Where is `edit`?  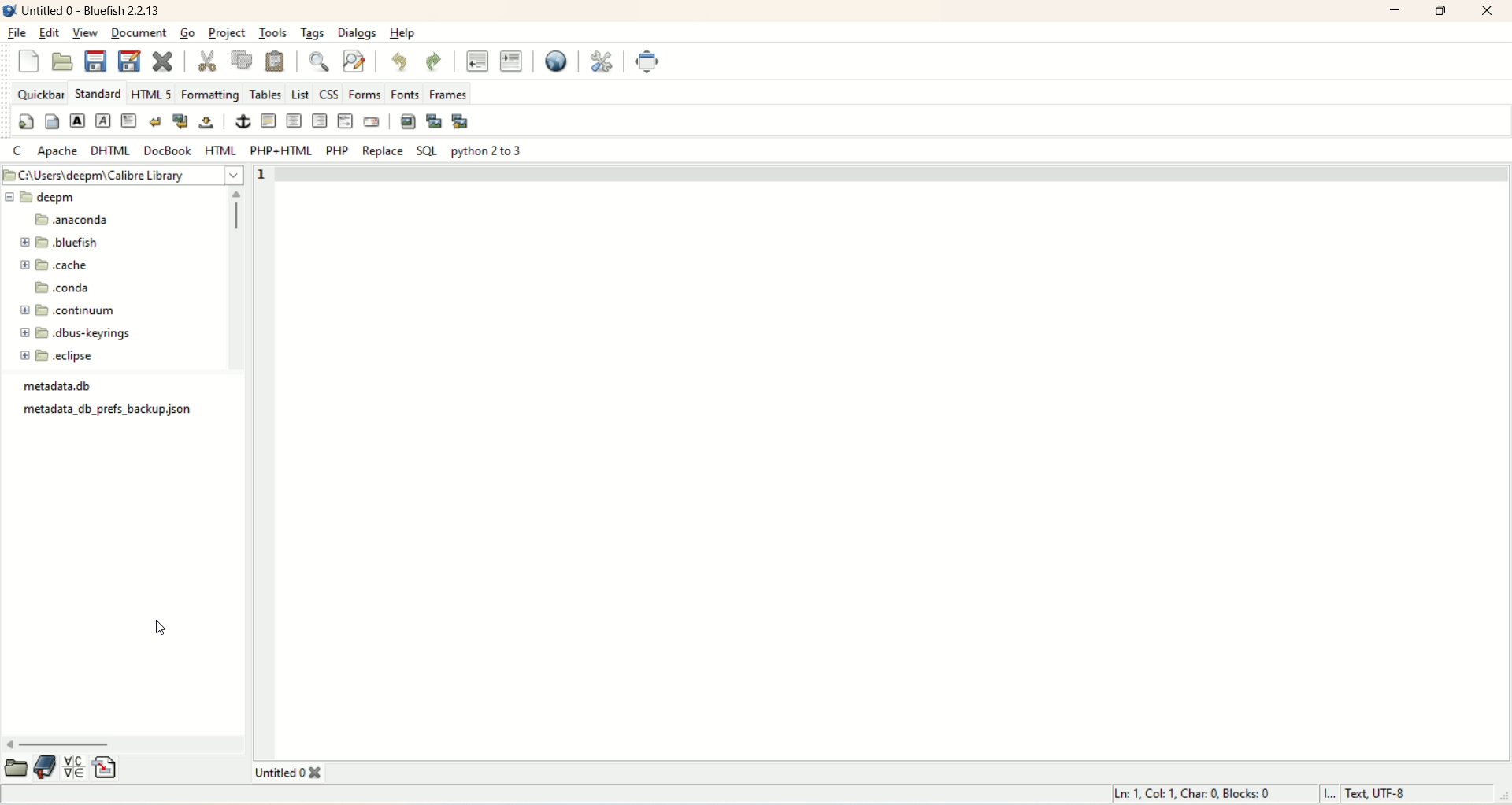
edit is located at coordinates (48, 33).